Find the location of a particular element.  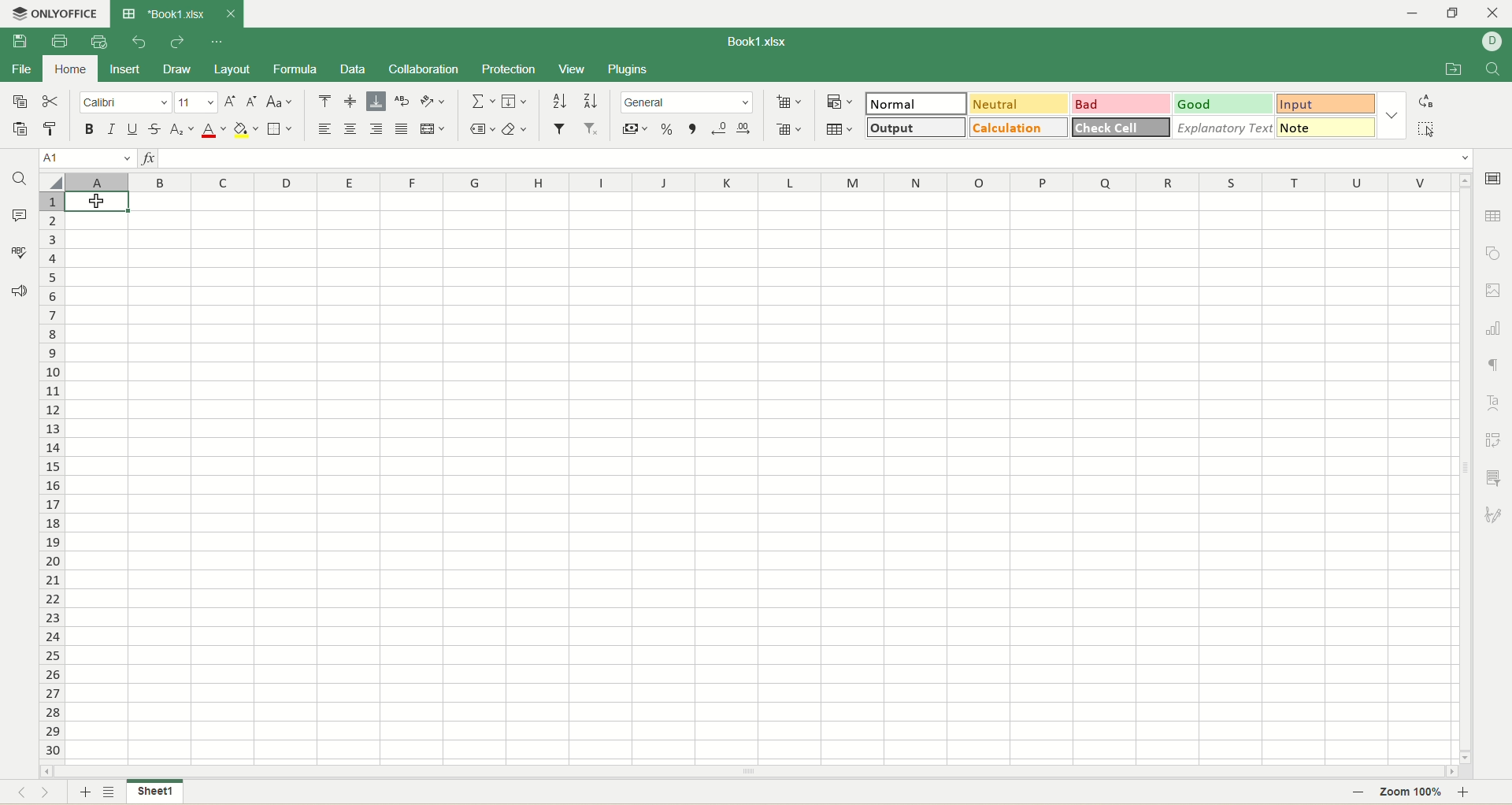

align top is located at coordinates (324, 103).